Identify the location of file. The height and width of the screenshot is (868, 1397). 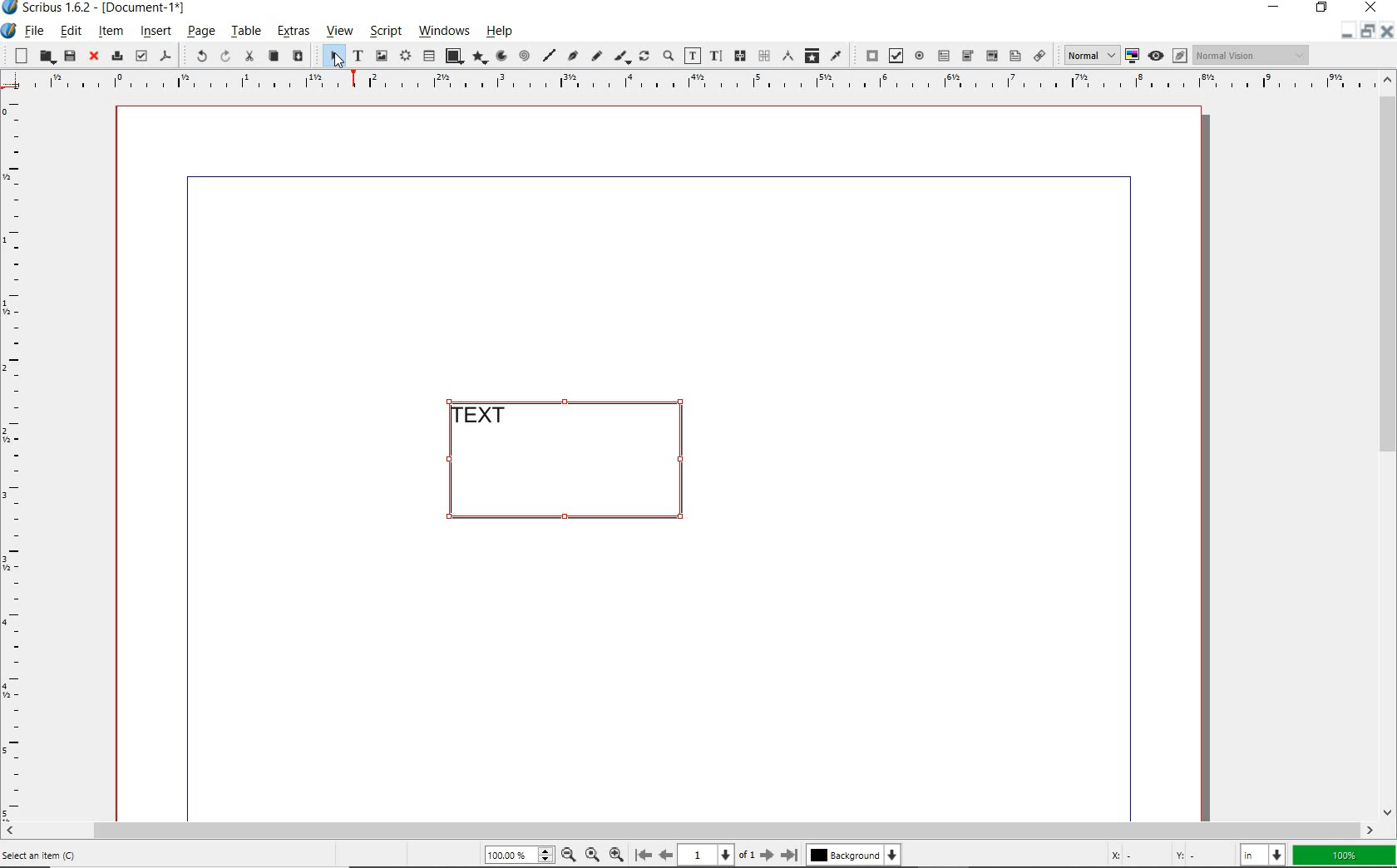
(34, 31).